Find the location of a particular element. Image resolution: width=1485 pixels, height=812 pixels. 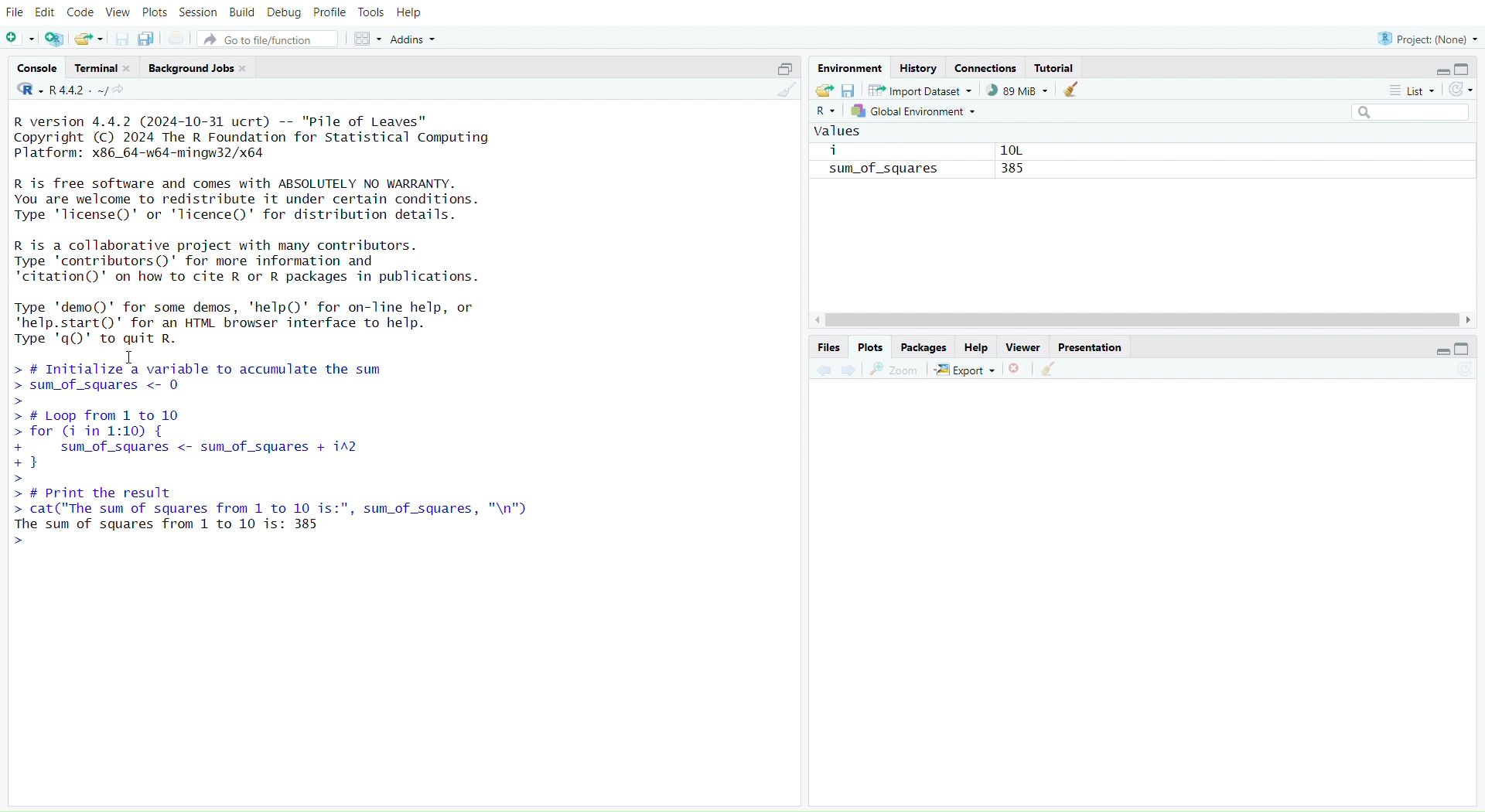

clear console is located at coordinates (781, 90).